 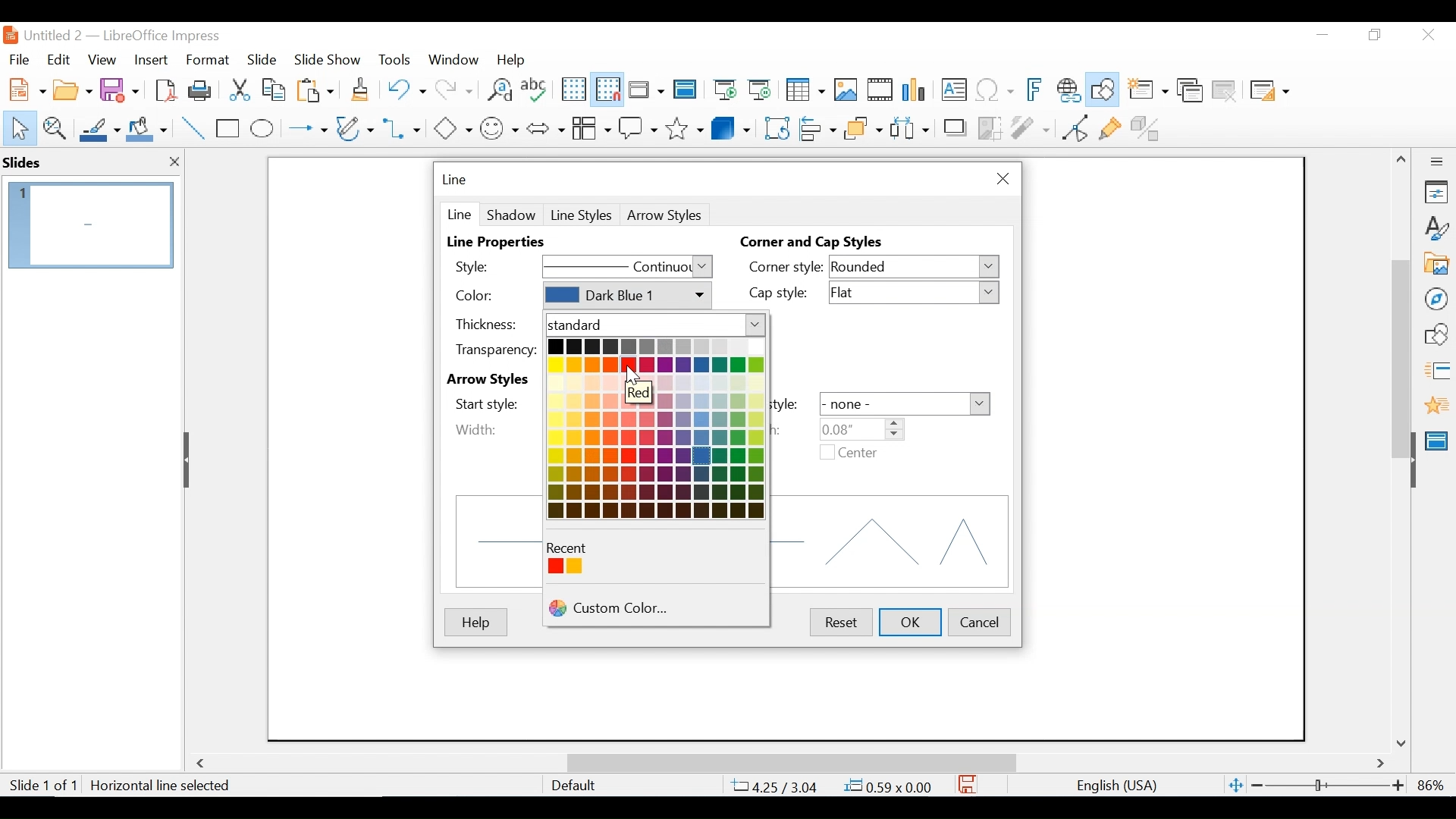 What do you see at coordinates (657, 428) in the screenshot?
I see `color palette` at bounding box center [657, 428].